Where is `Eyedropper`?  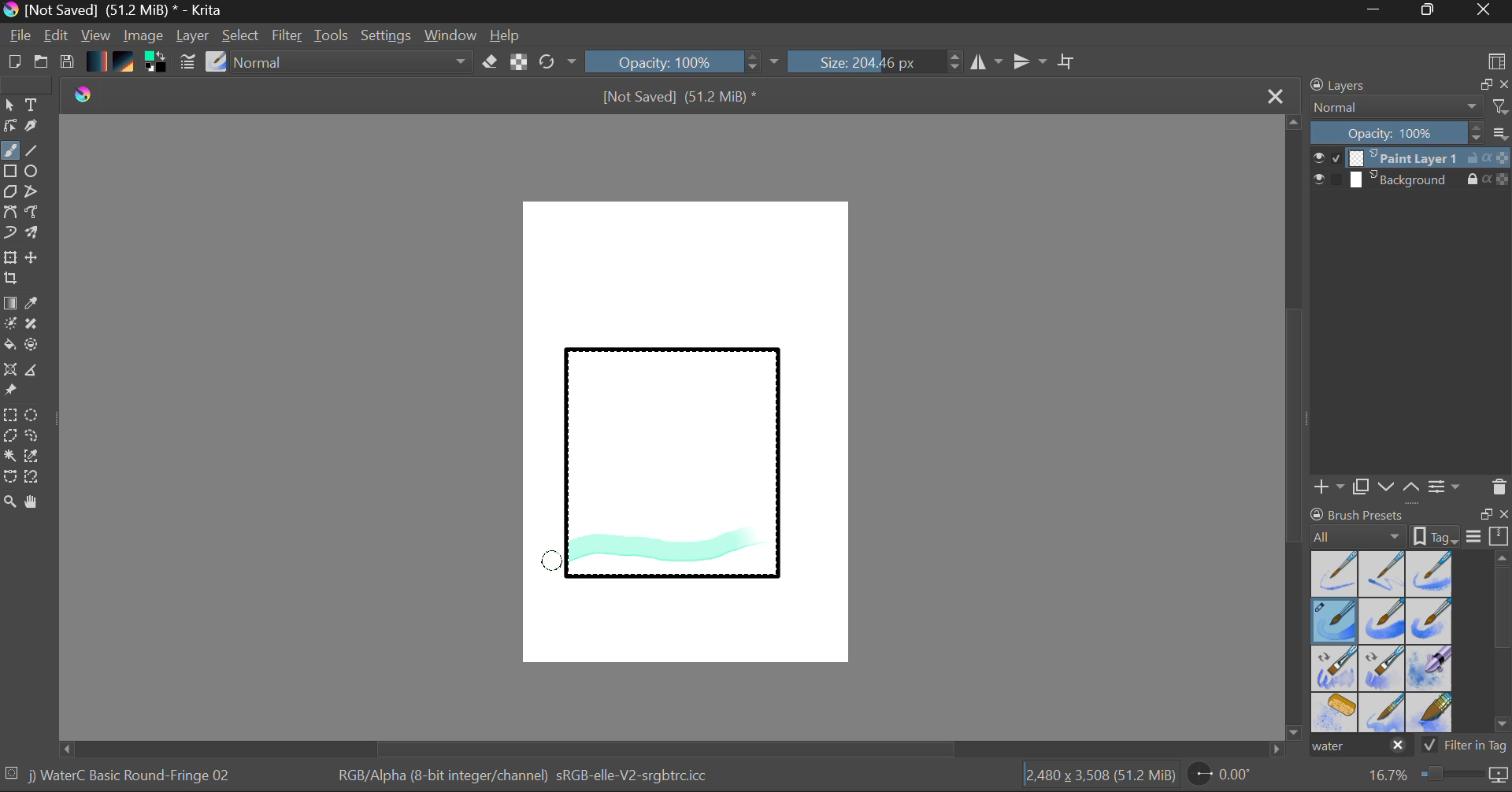 Eyedropper is located at coordinates (35, 304).